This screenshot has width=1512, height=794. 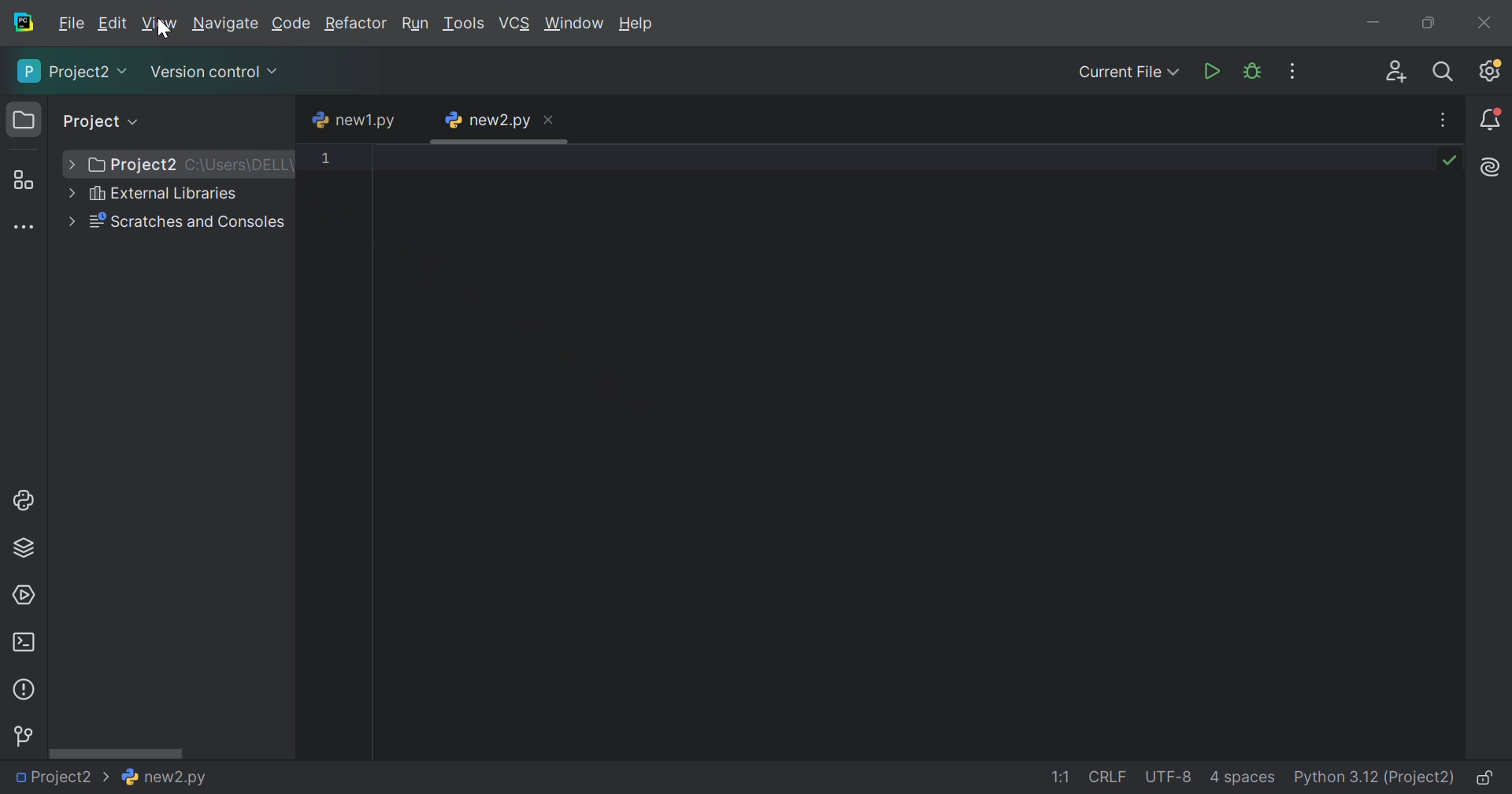 What do you see at coordinates (165, 28) in the screenshot?
I see `cursor` at bounding box center [165, 28].